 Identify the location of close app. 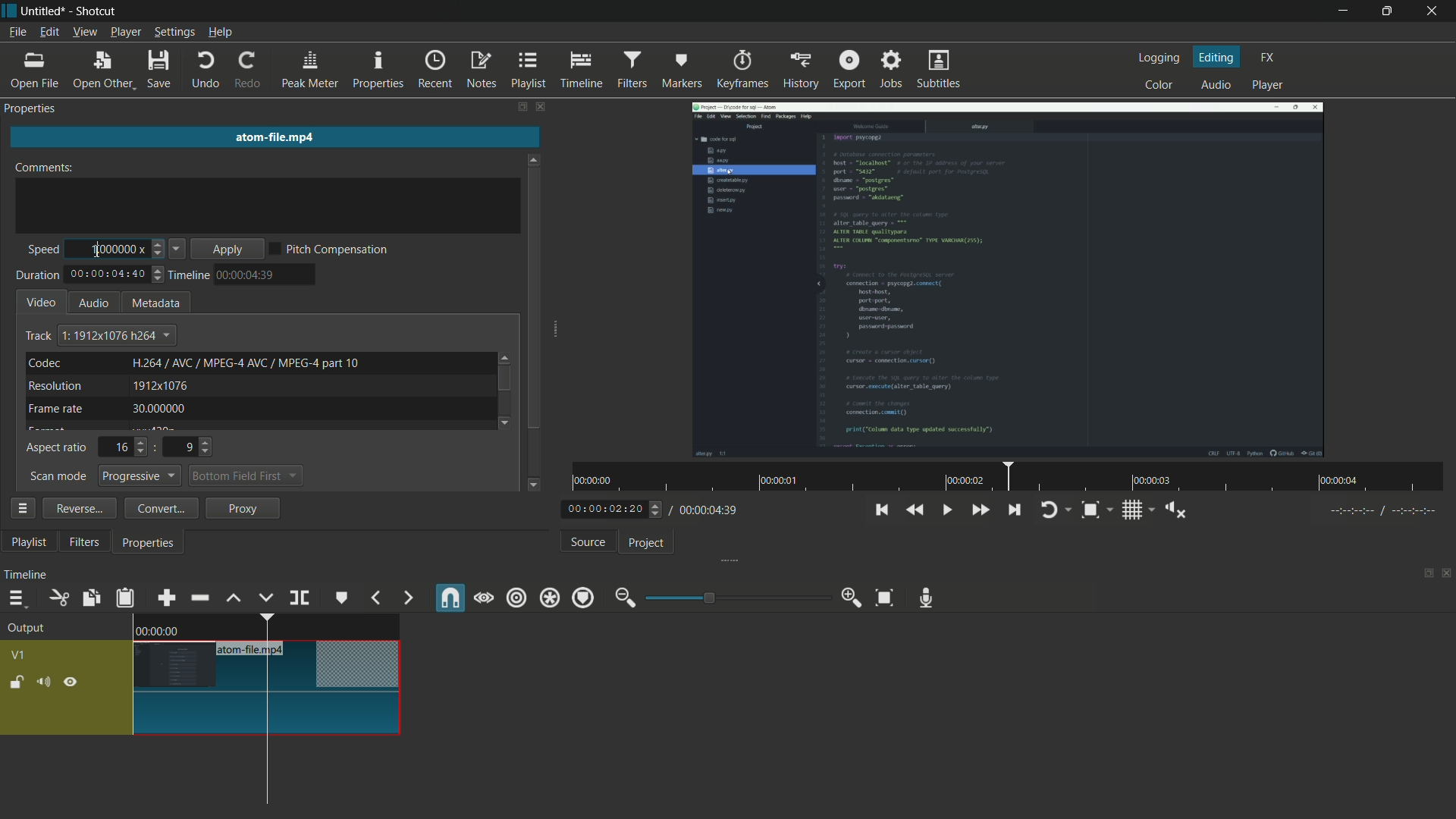
(1436, 11).